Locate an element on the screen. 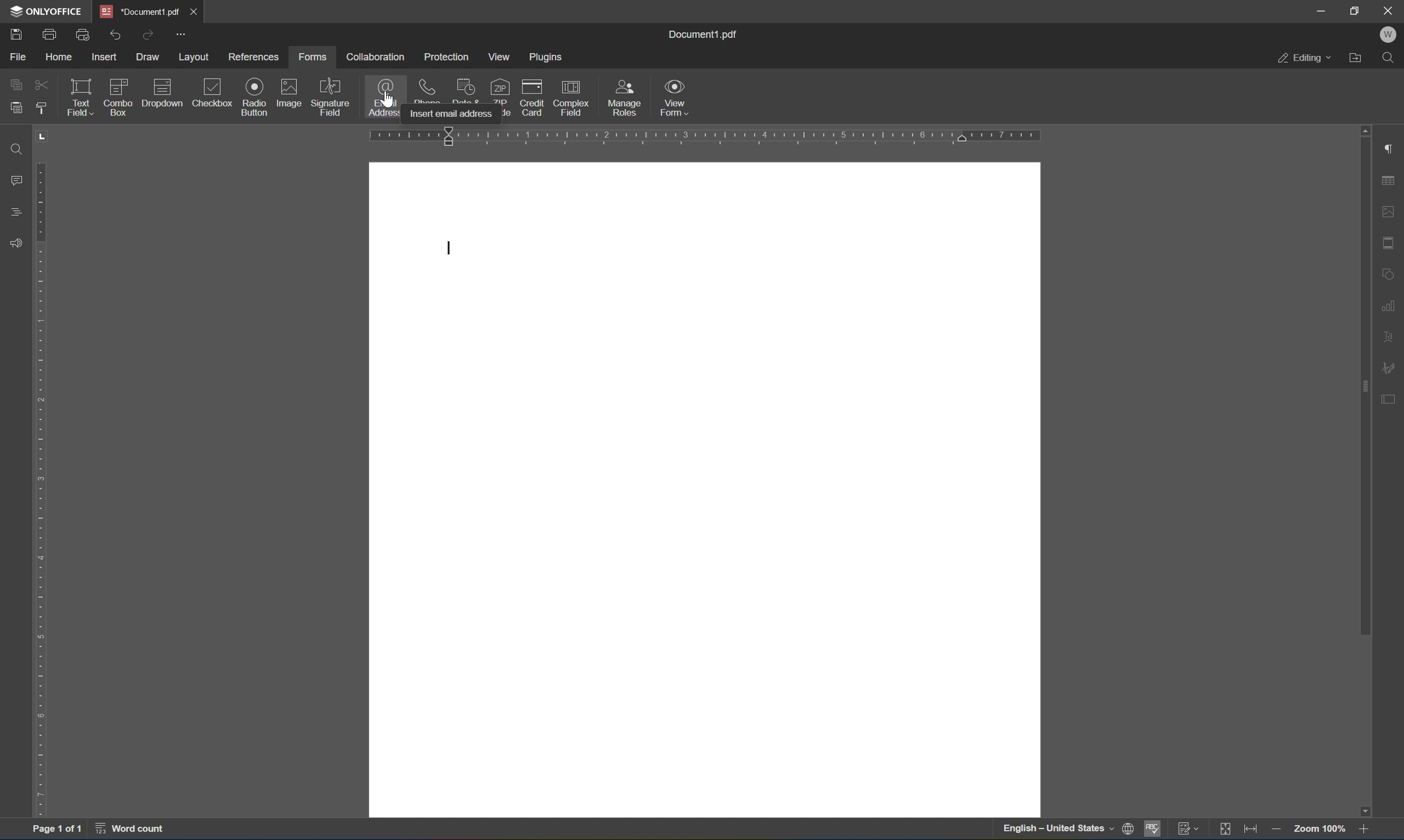 The height and width of the screenshot is (840, 1404). minimize is located at coordinates (1317, 12).